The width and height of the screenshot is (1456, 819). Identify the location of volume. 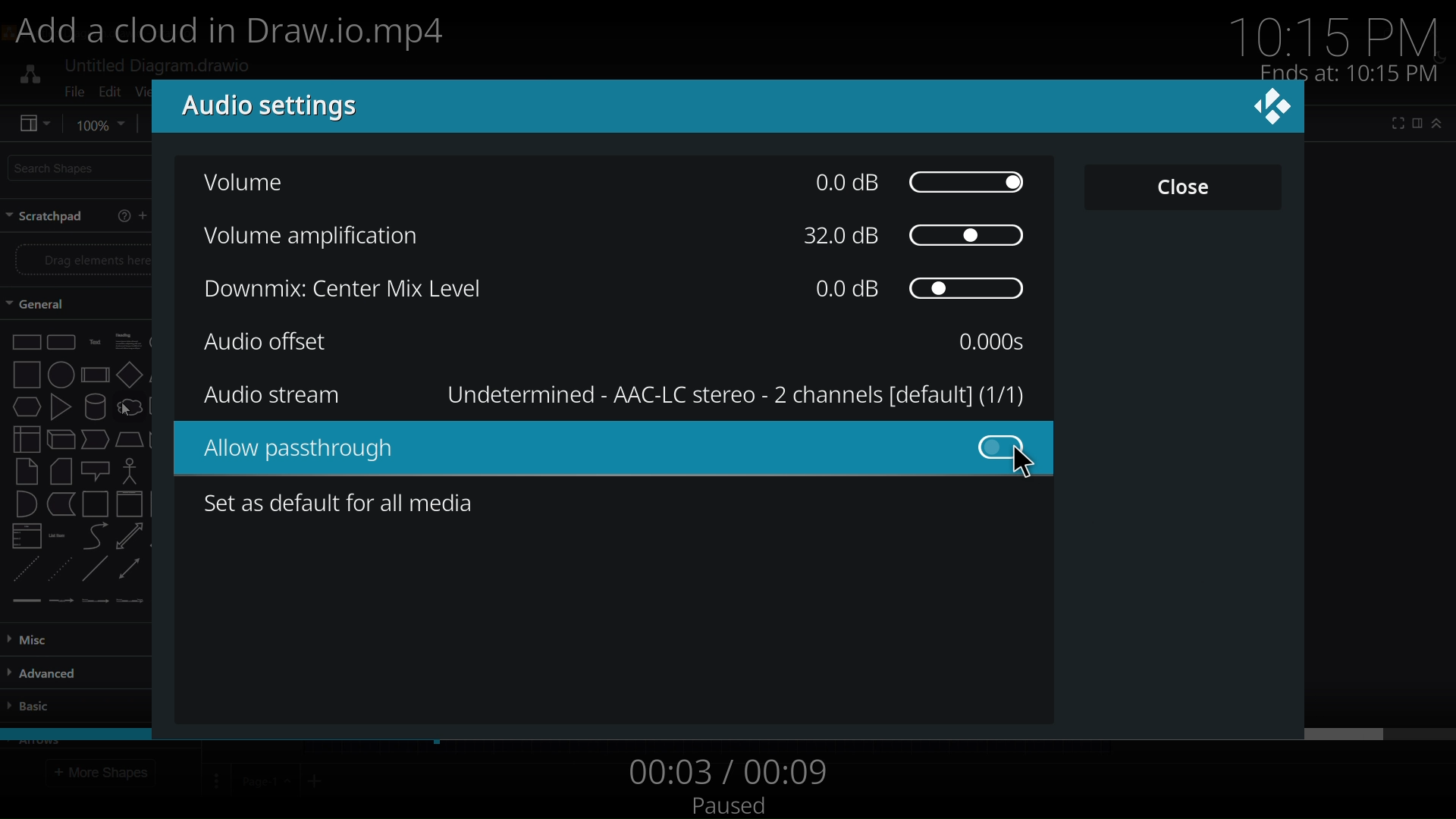
(253, 181).